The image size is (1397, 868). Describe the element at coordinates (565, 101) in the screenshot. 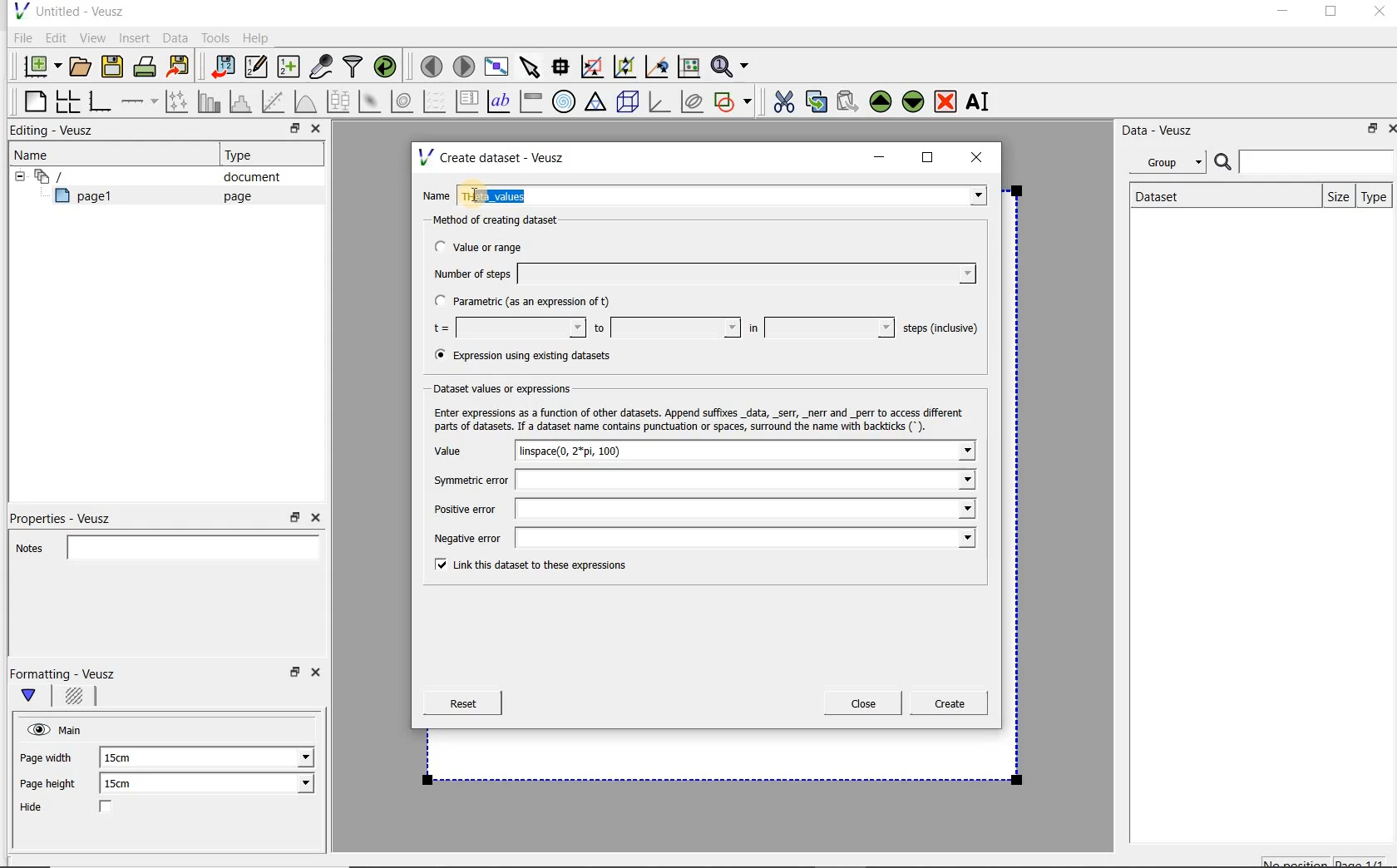

I see `polar graph` at that location.